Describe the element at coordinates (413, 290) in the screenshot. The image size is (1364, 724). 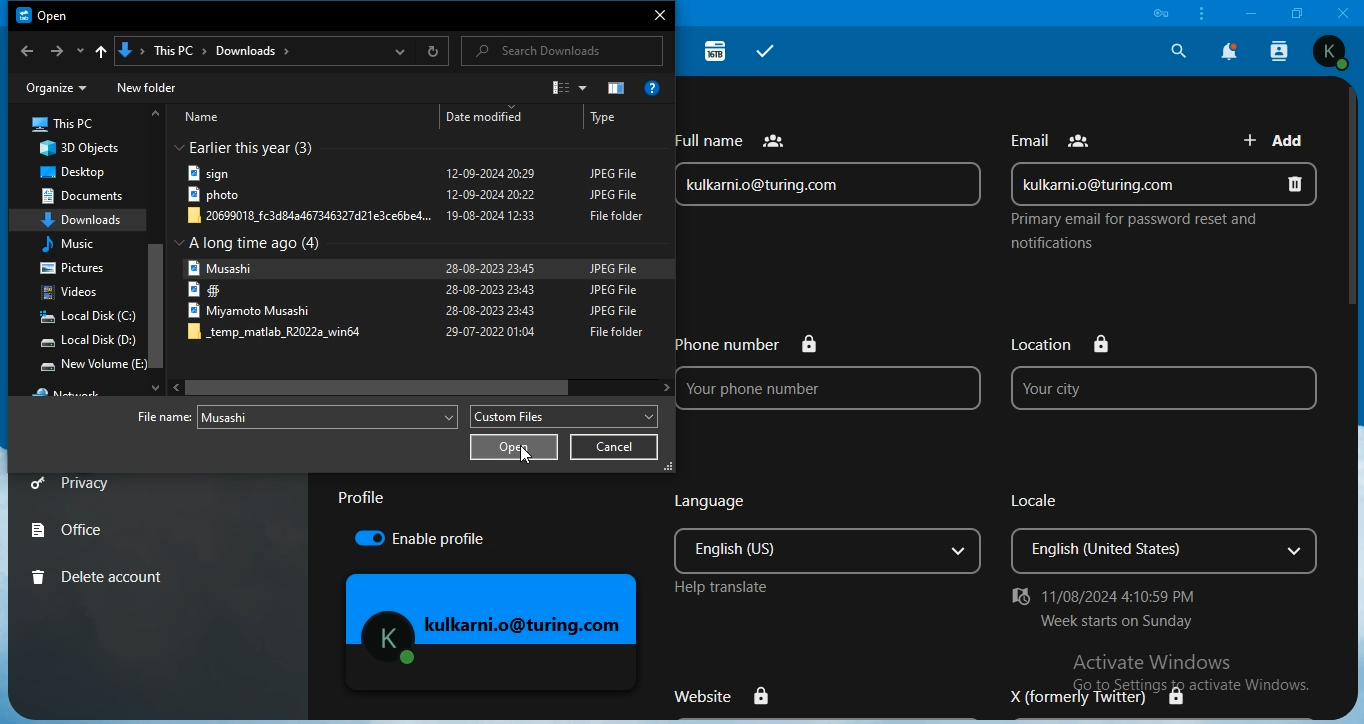
I see `file` at that location.